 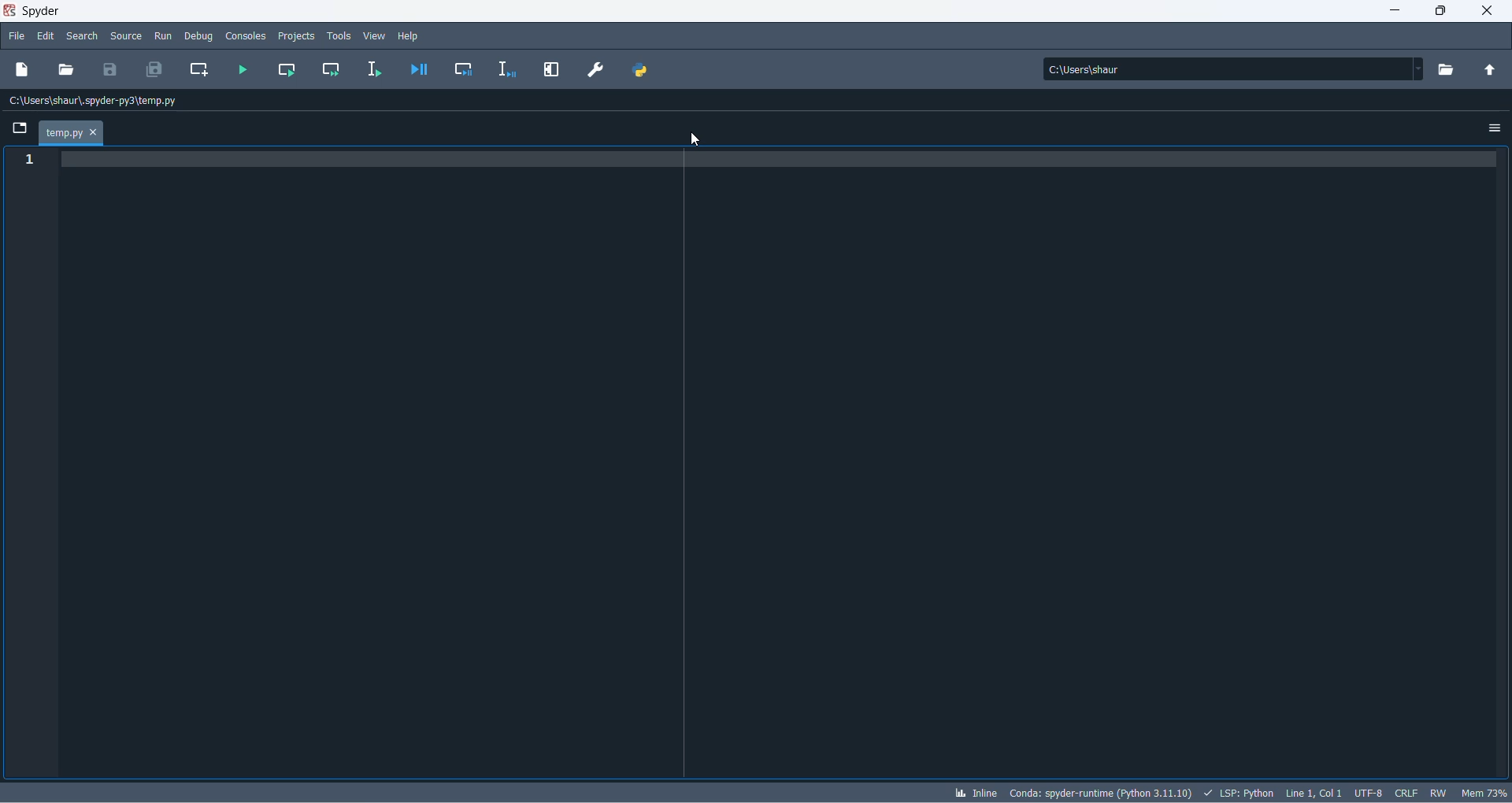 I want to click on save all, so click(x=157, y=72).